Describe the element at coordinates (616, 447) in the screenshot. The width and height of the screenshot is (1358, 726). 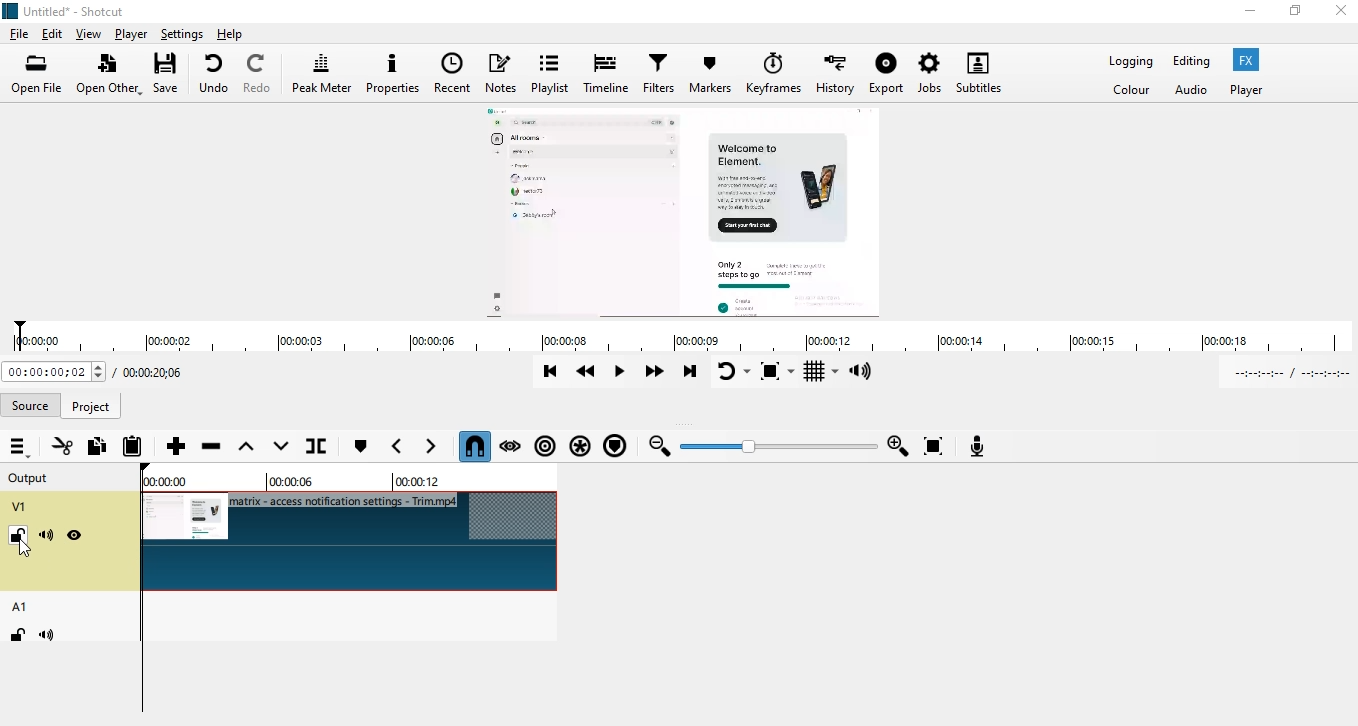
I see `ripple markers` at that location.